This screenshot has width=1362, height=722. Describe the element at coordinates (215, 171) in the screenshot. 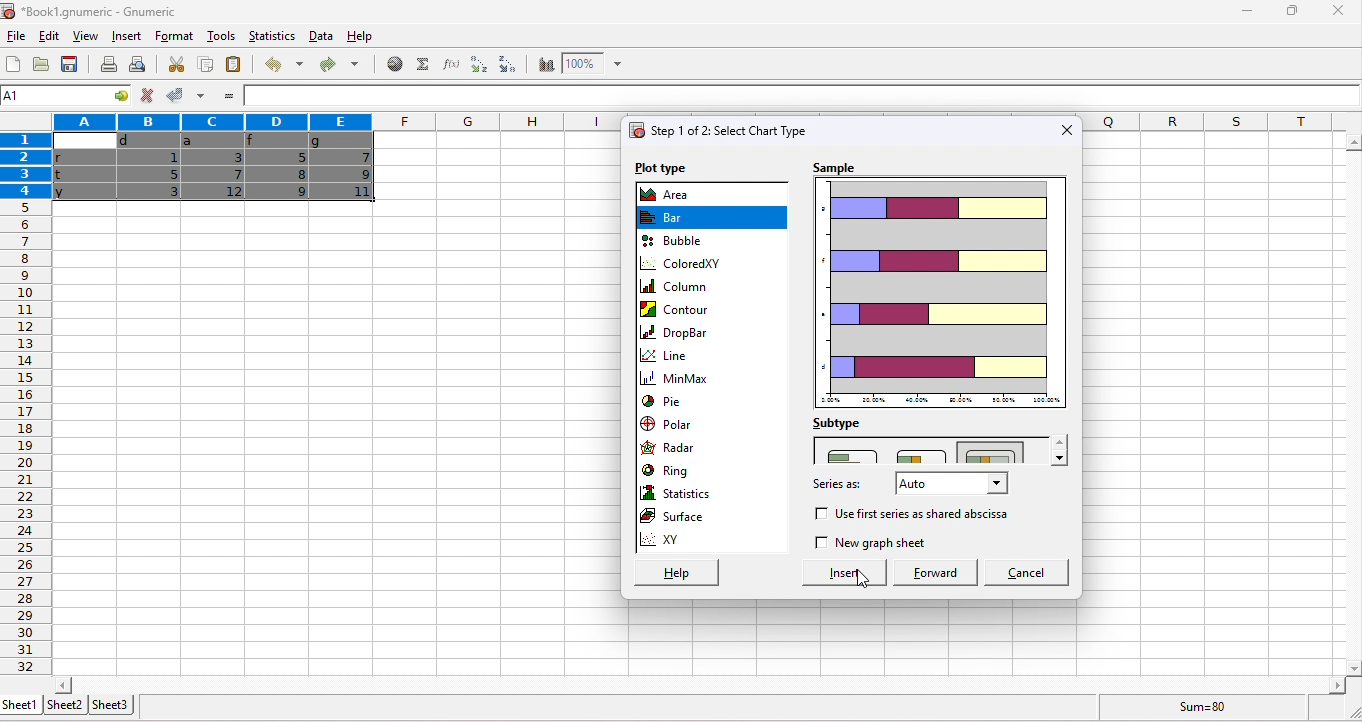

I see `cells dragged` at that location.